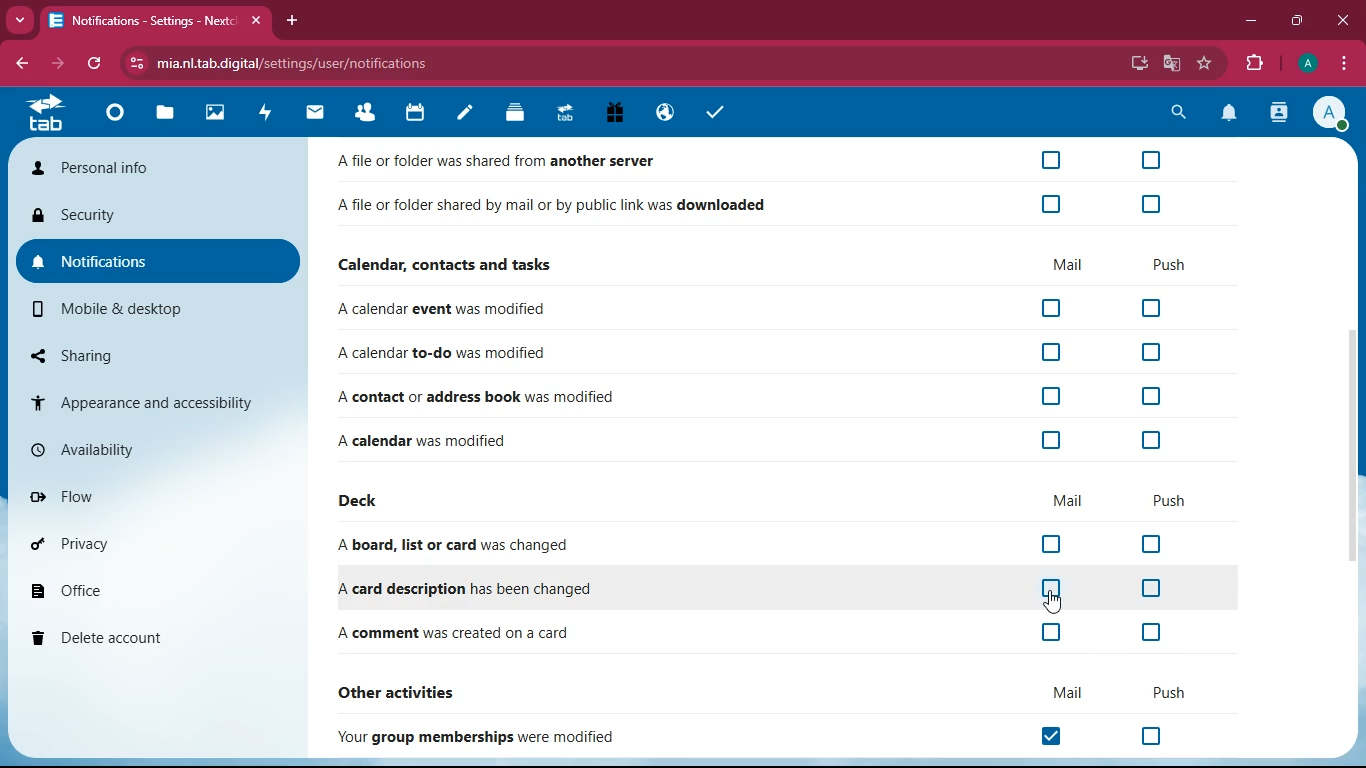  What do you see at coordinates (1064, 693) in the screenshot?
I see `mail` at bounding box center [1064, 693].